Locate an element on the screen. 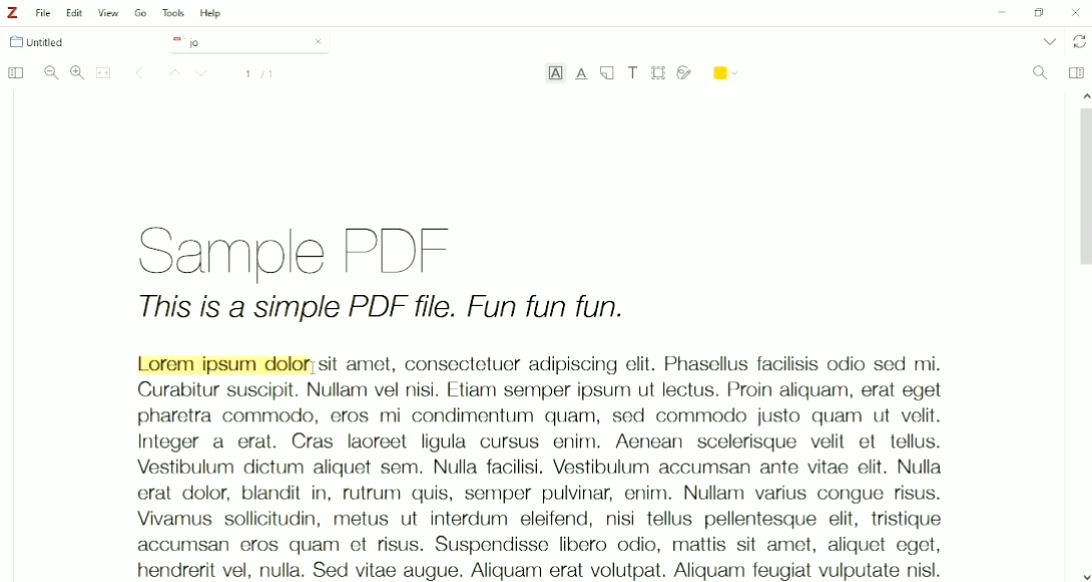 This screenshot has height=582, width=1092. Help is located at coordinates (212, 14).